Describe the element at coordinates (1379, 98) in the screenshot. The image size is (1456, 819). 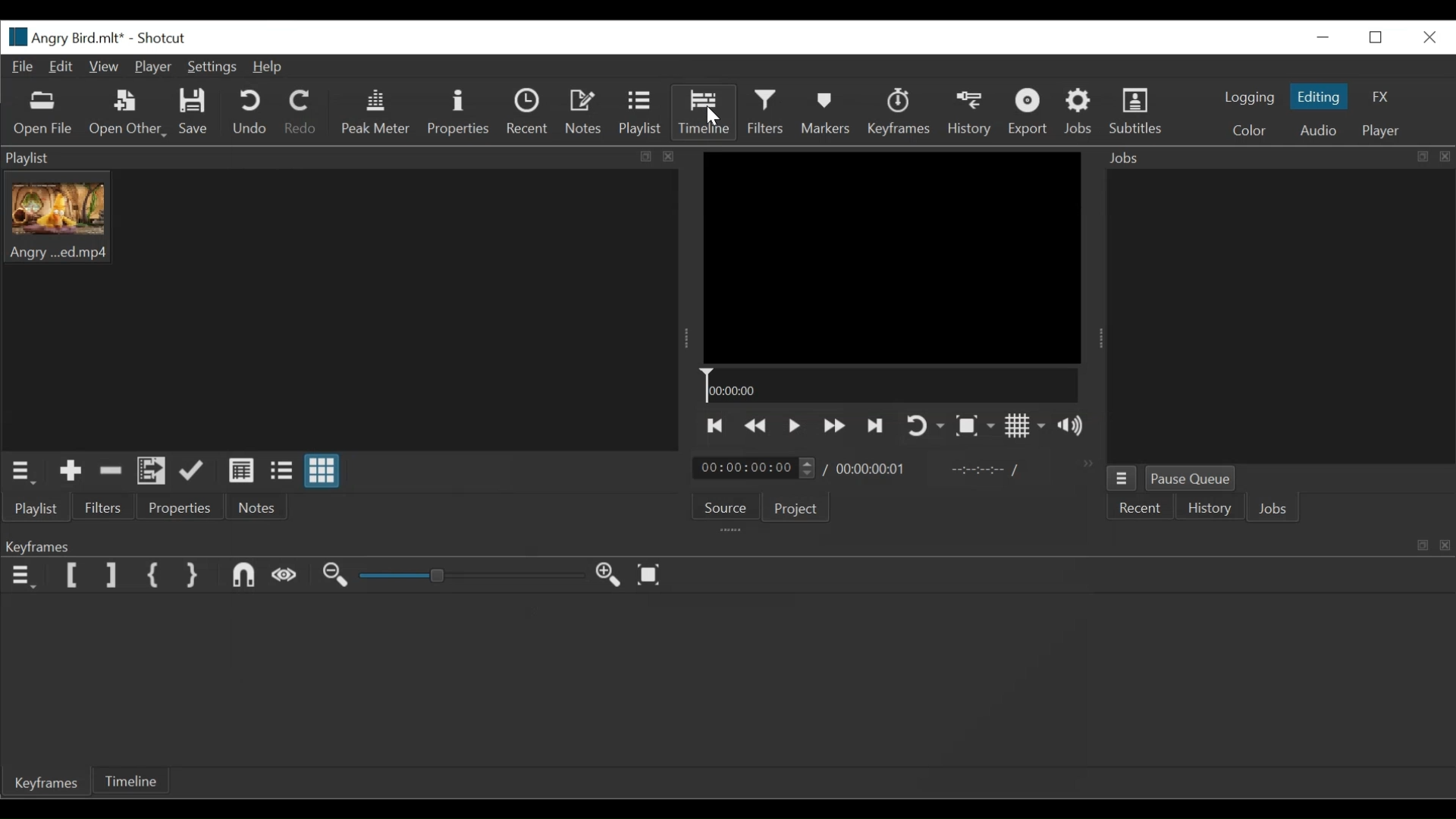
I see `FX` at that location.